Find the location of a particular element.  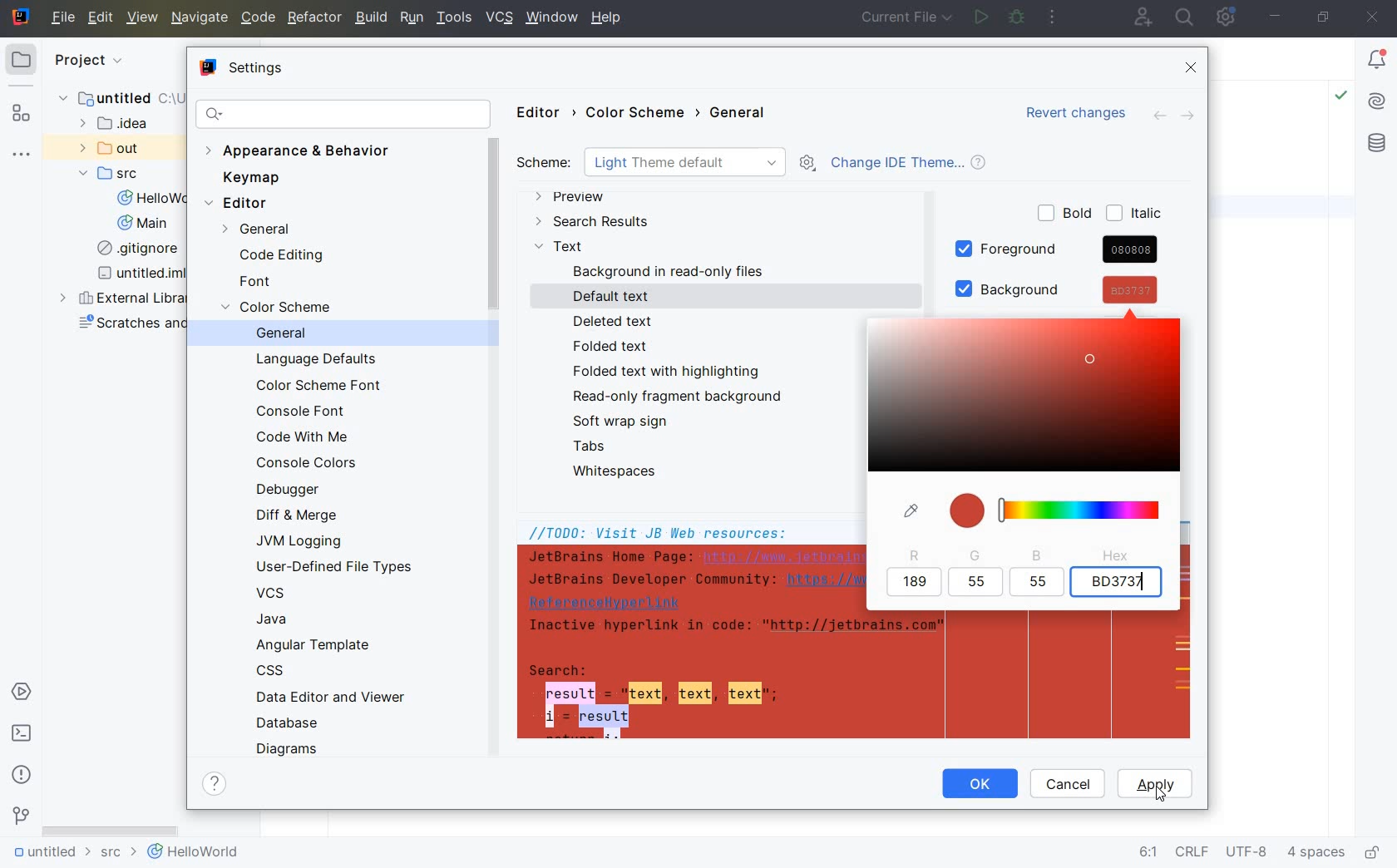

SHOW SCHEME ACTIONS is located at coordinates (807, 164).